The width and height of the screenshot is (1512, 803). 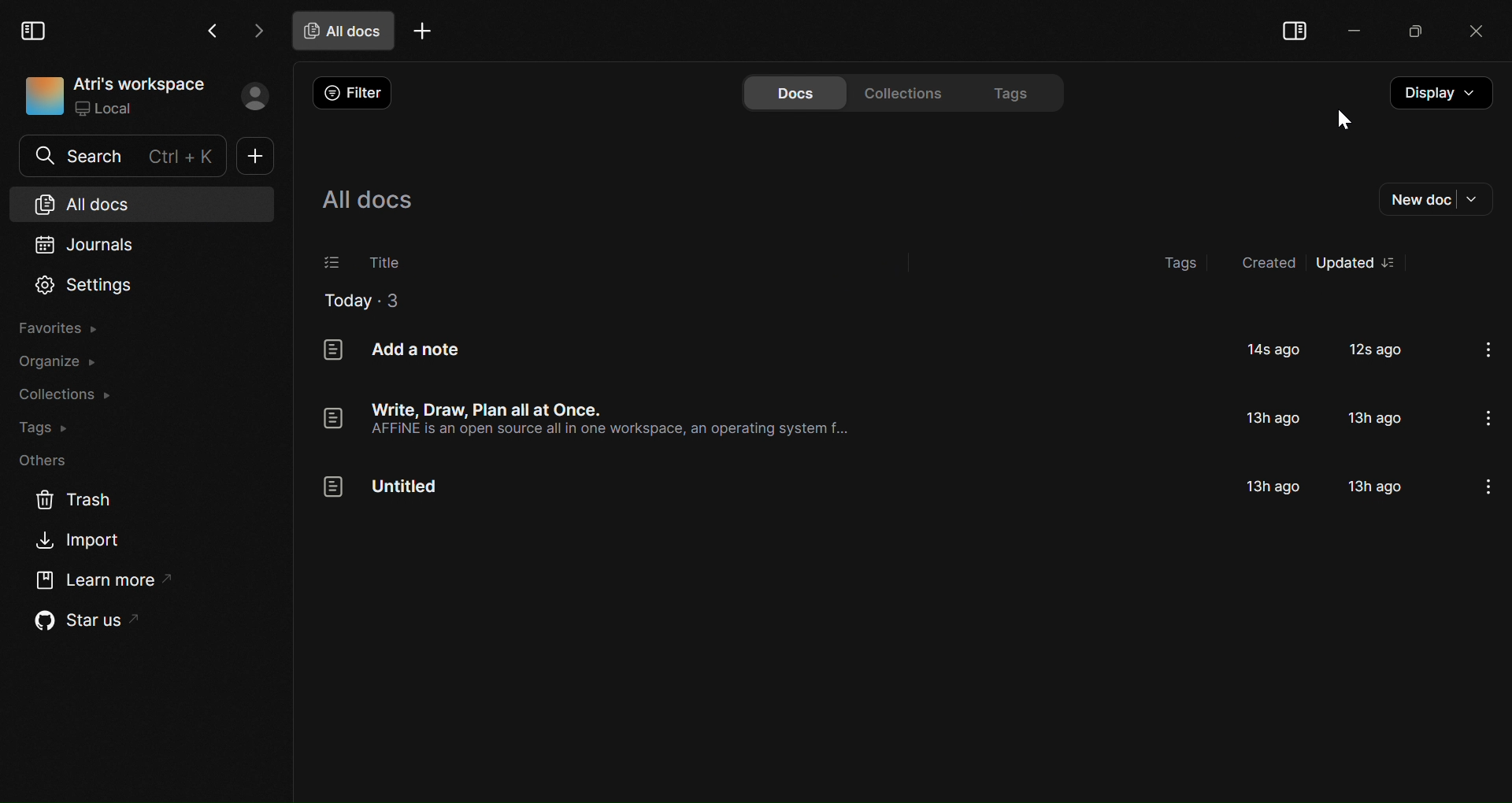 What do you see at coordinates (1378, 350) in the screenshot?
I see `12s ago` at bounding box center [1378, 350].